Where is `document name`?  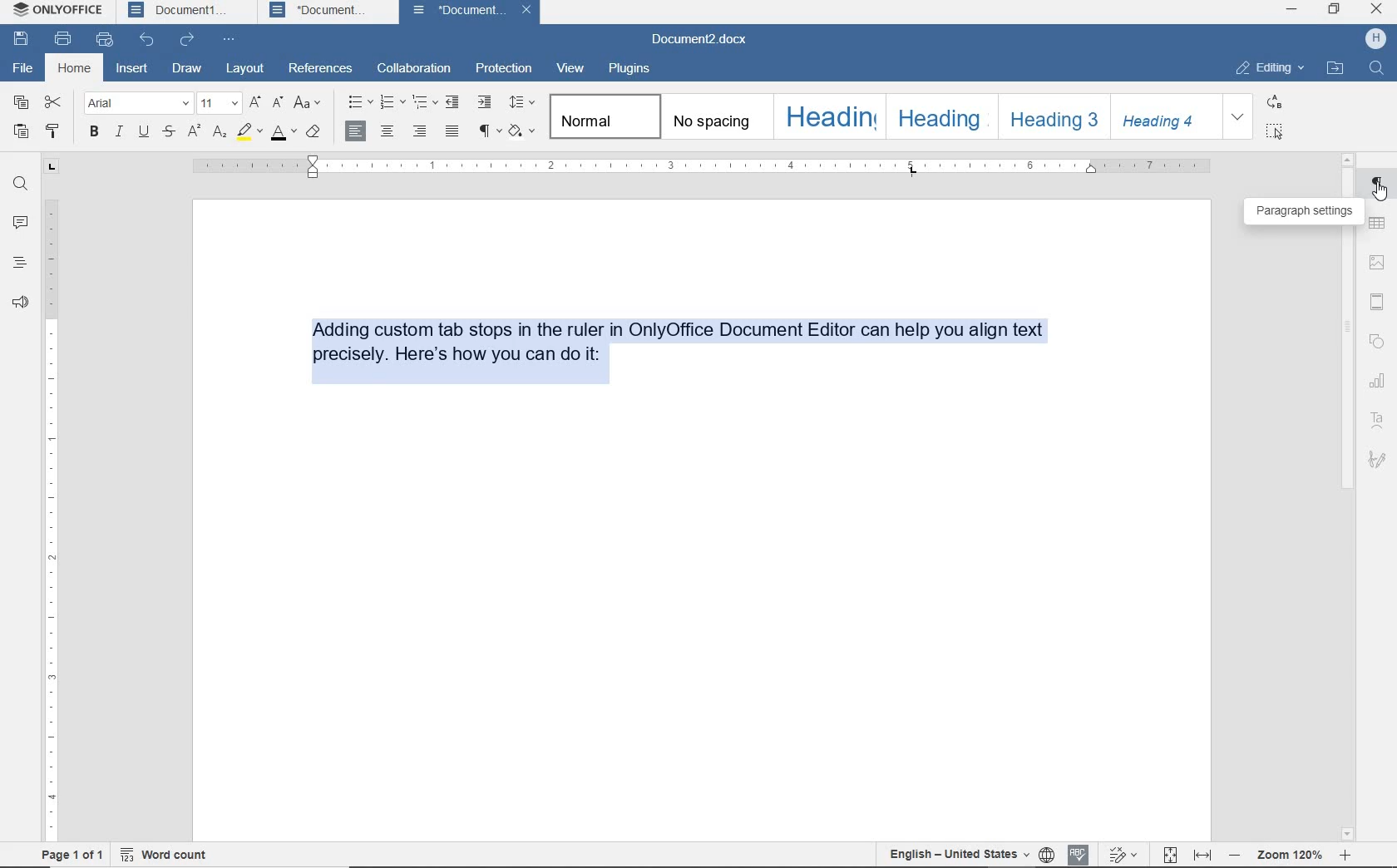 document name is located at coordinates (704, 40).